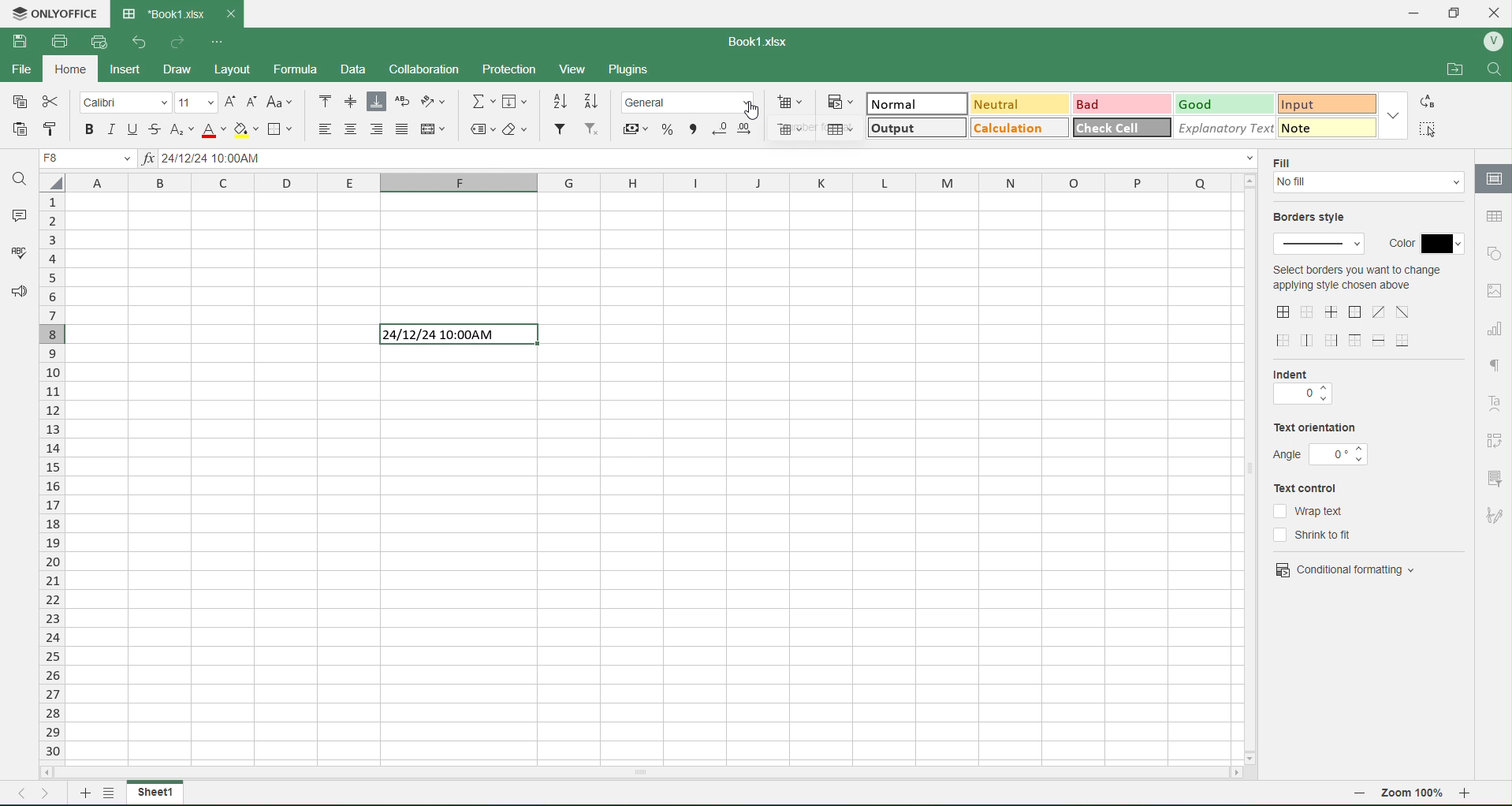 The height and width of the screenshot is (806, 1512). Describe the element at coordinates (1309, 102) in the screenshot. I see `input` at that location.